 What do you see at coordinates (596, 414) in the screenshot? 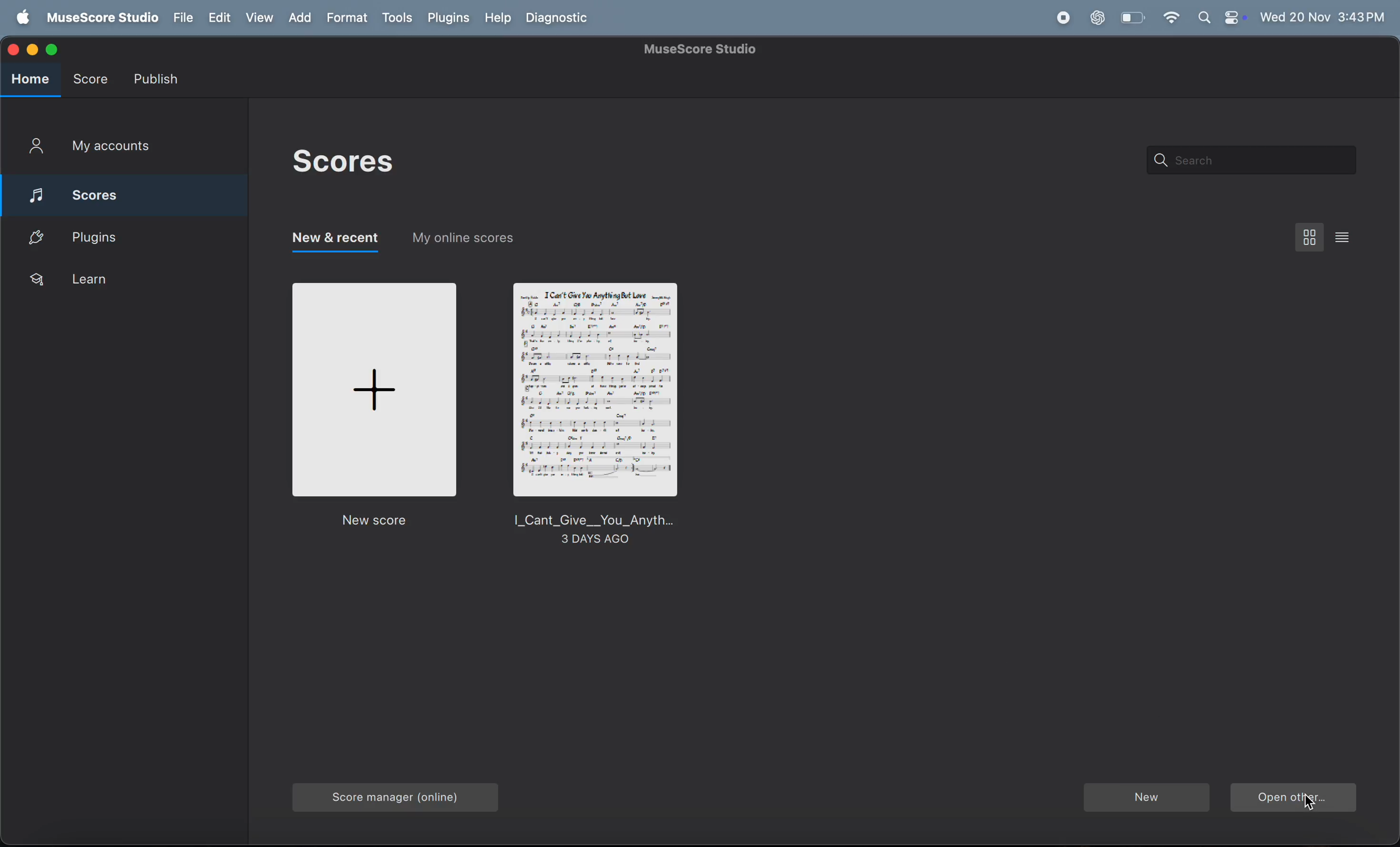
I see `score of  i cant give song` at bounding box center [596, 414].